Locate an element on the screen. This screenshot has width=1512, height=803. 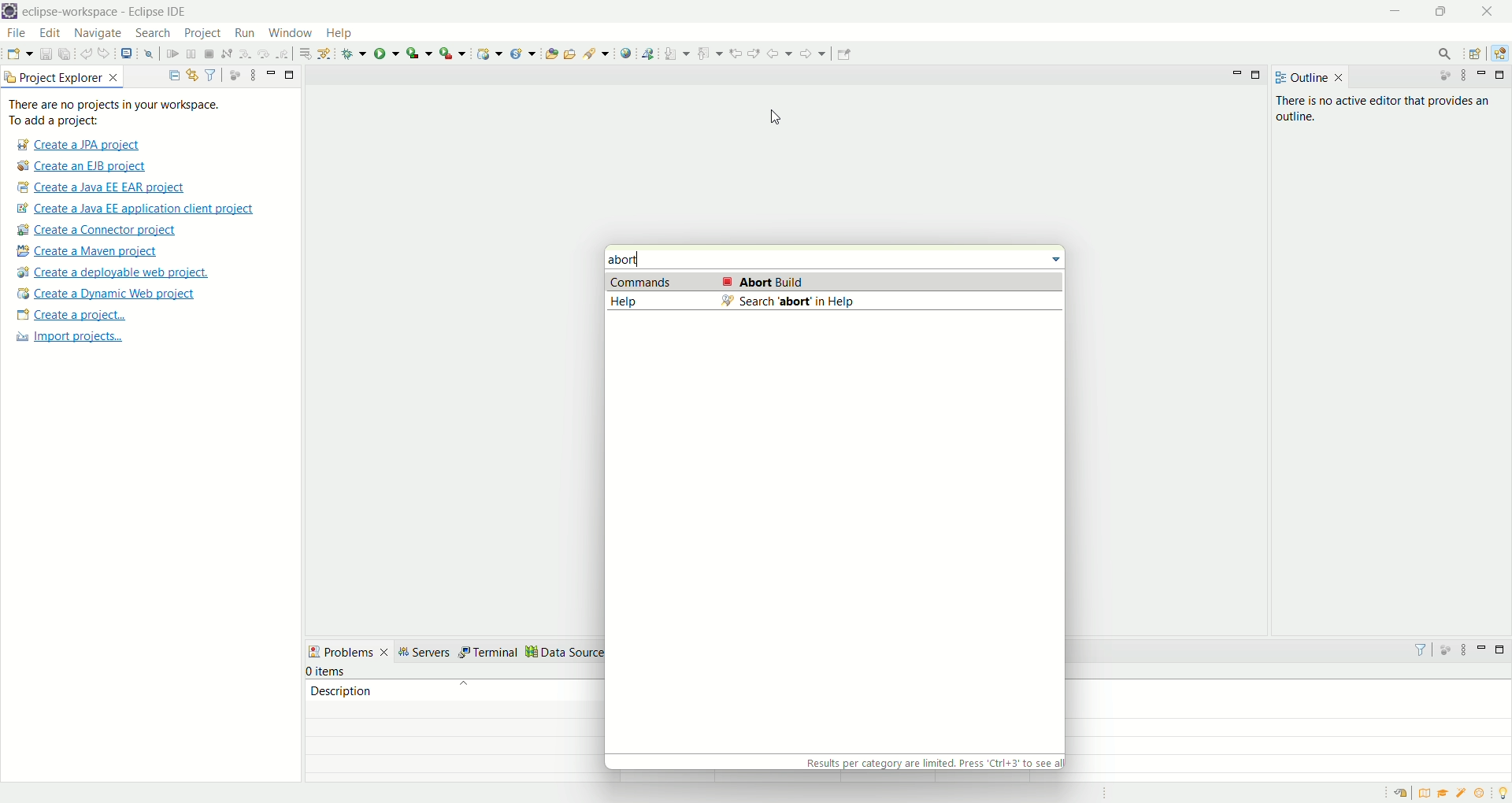
Pin editor is located at coordinates (847, 55).